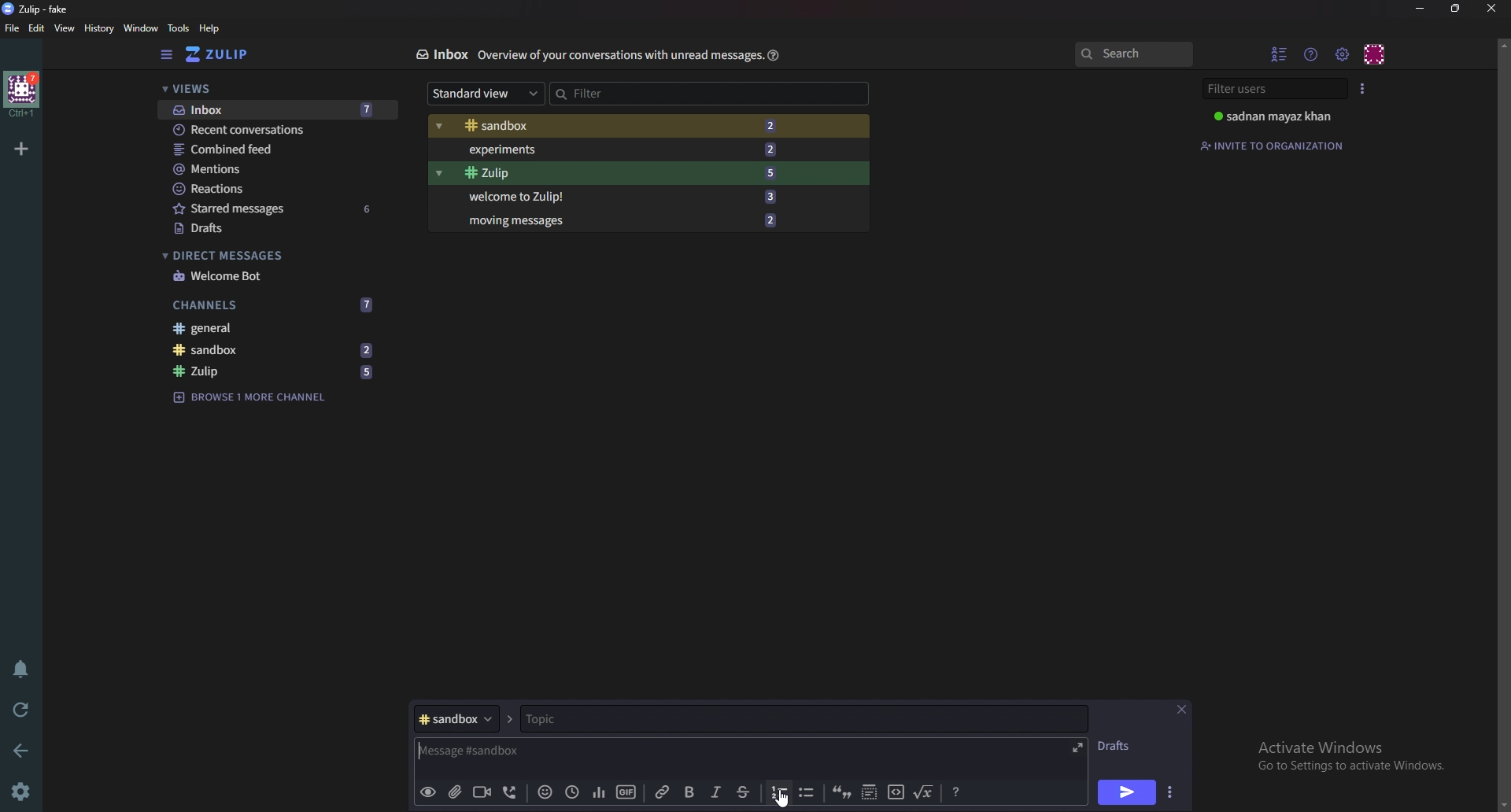  Describe the element at coordinates (23, 146) in the screenshot. I see `Add organization` at that location.